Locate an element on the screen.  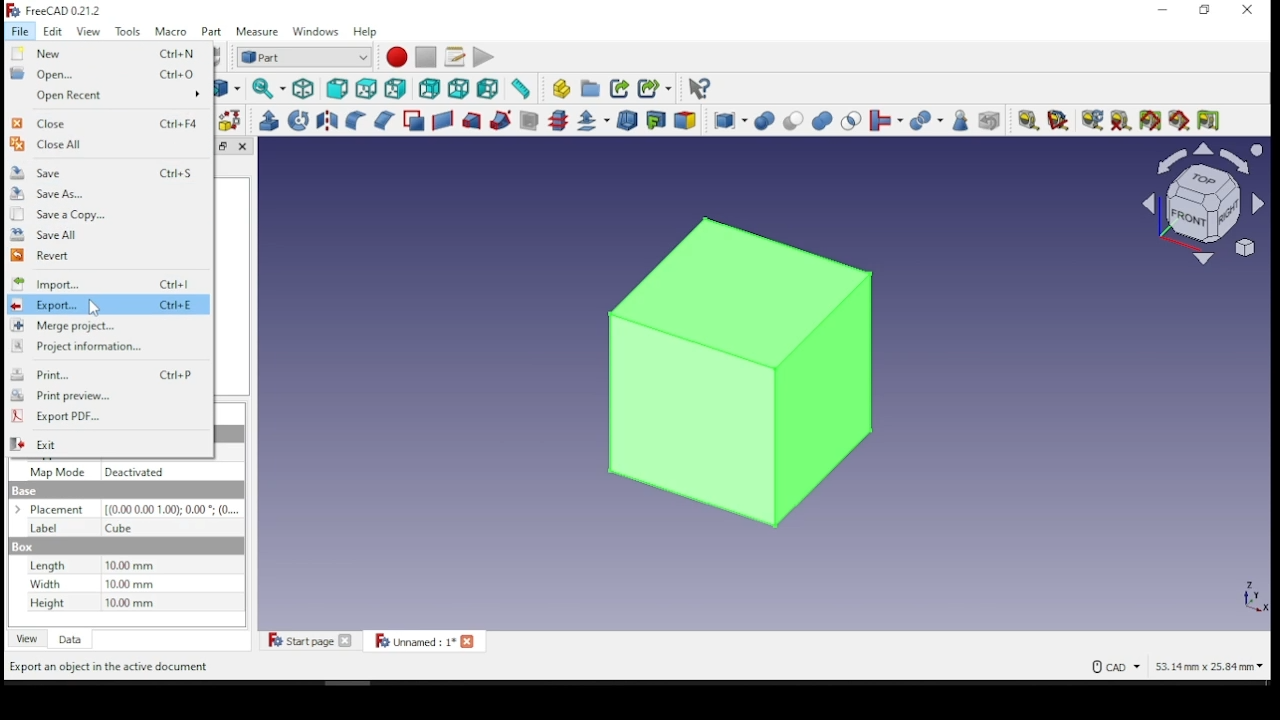
project information is located at coordinates (101, 347).